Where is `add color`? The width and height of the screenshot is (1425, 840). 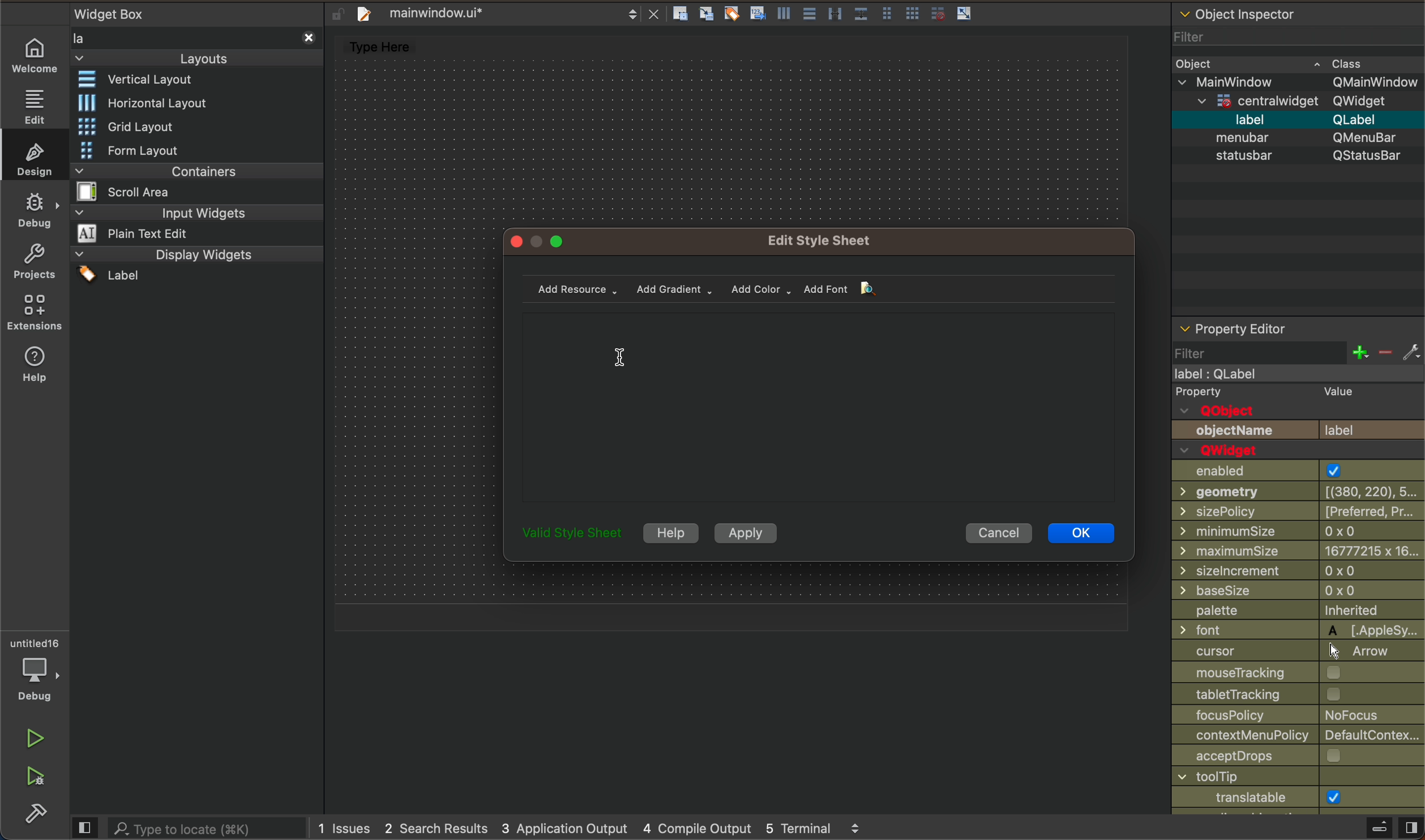 add color is located at coordinates (758, 289).